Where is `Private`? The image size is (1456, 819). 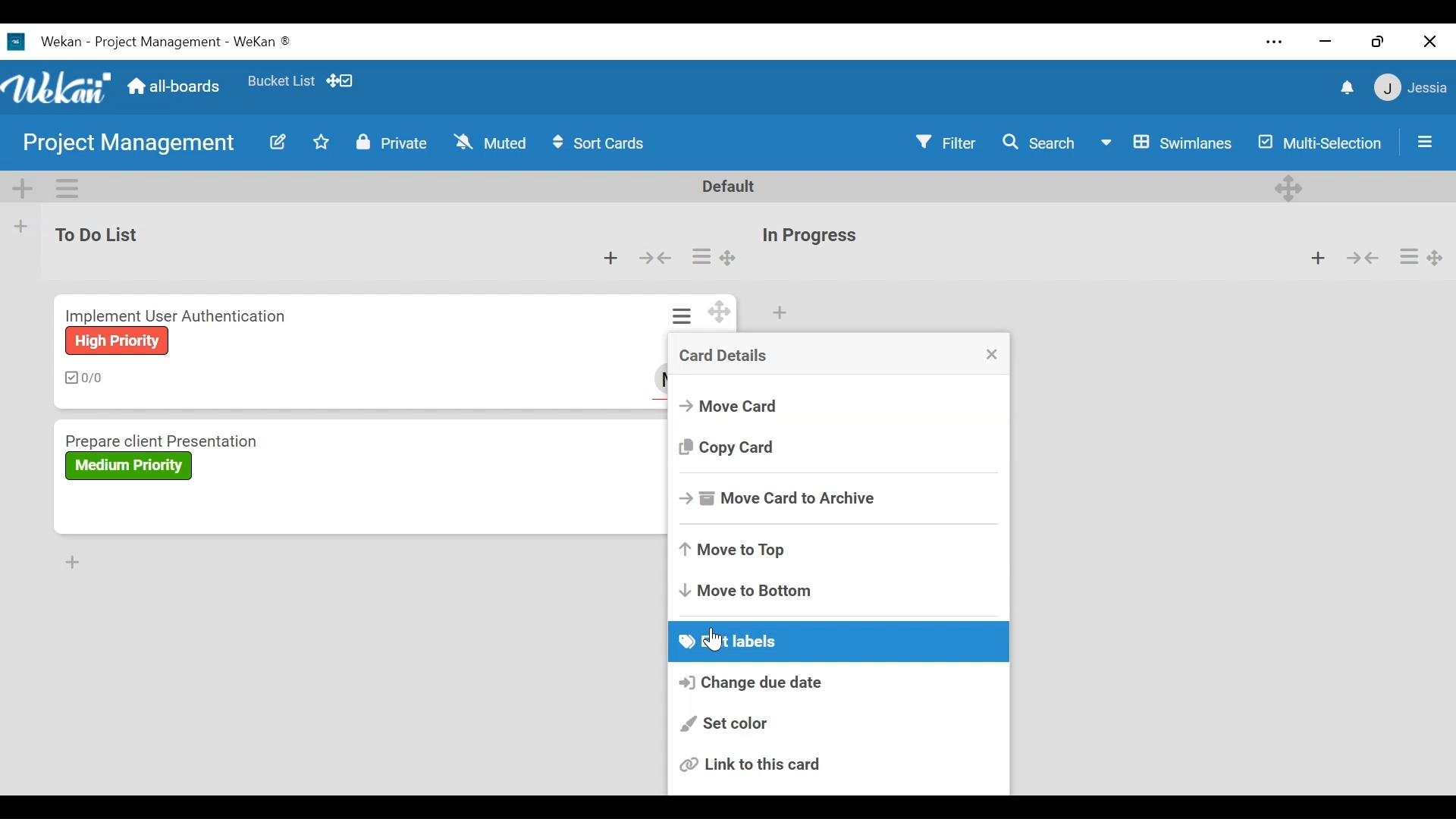 Private is located at coordinates (394, 143).